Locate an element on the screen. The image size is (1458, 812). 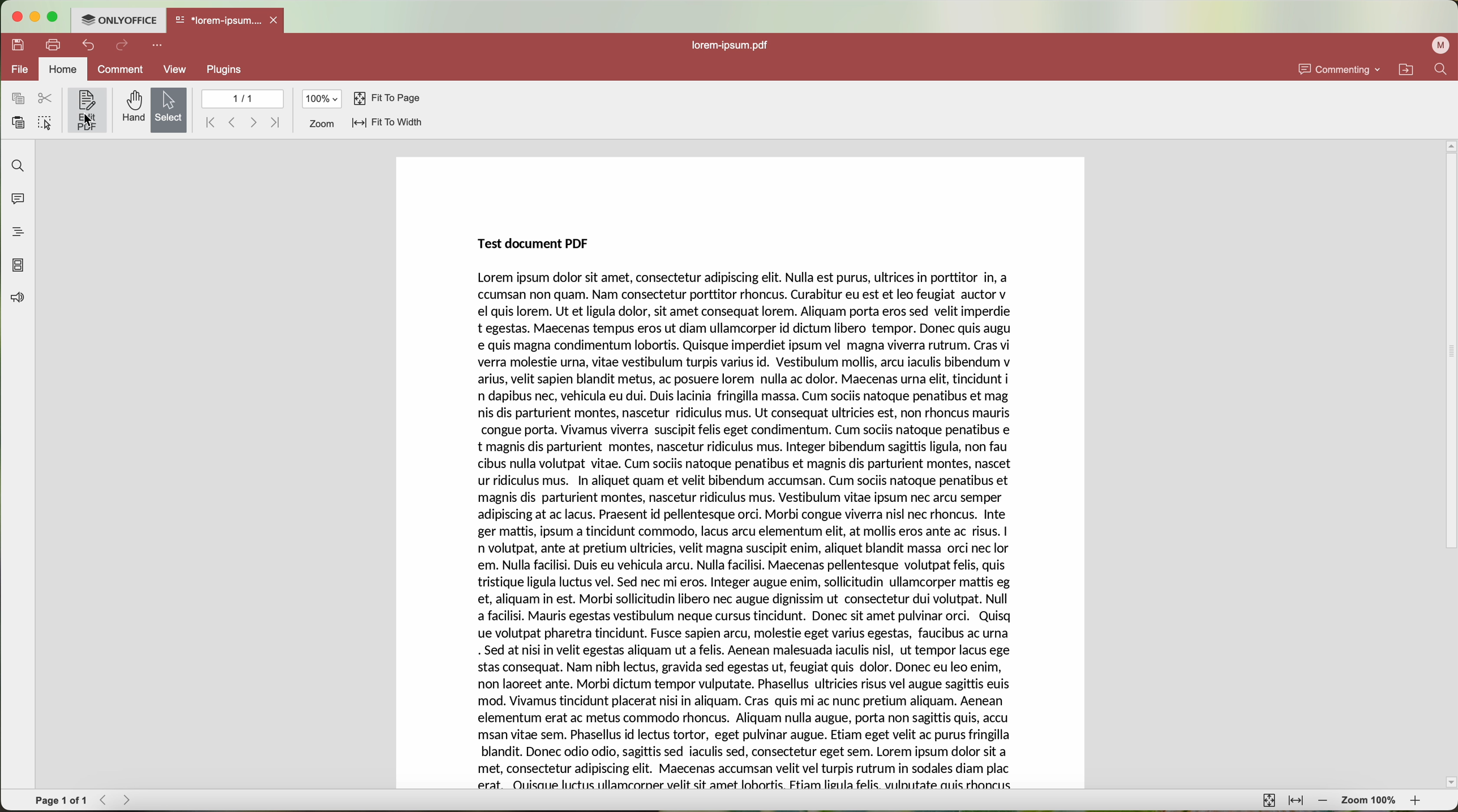
copy is located at coordinates (18, 98).